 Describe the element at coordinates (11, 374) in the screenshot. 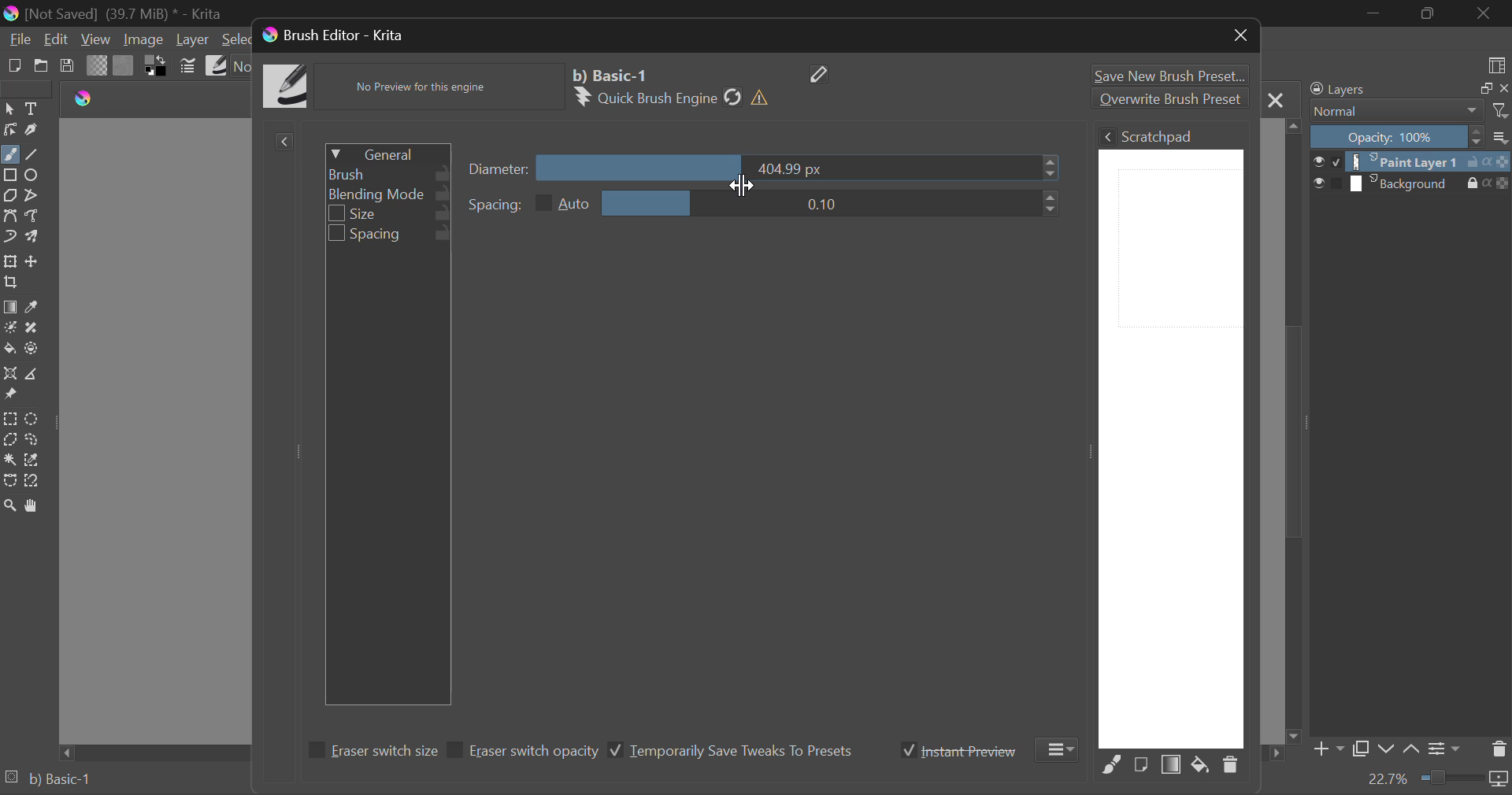

I see `Assistant Tool` at that location.